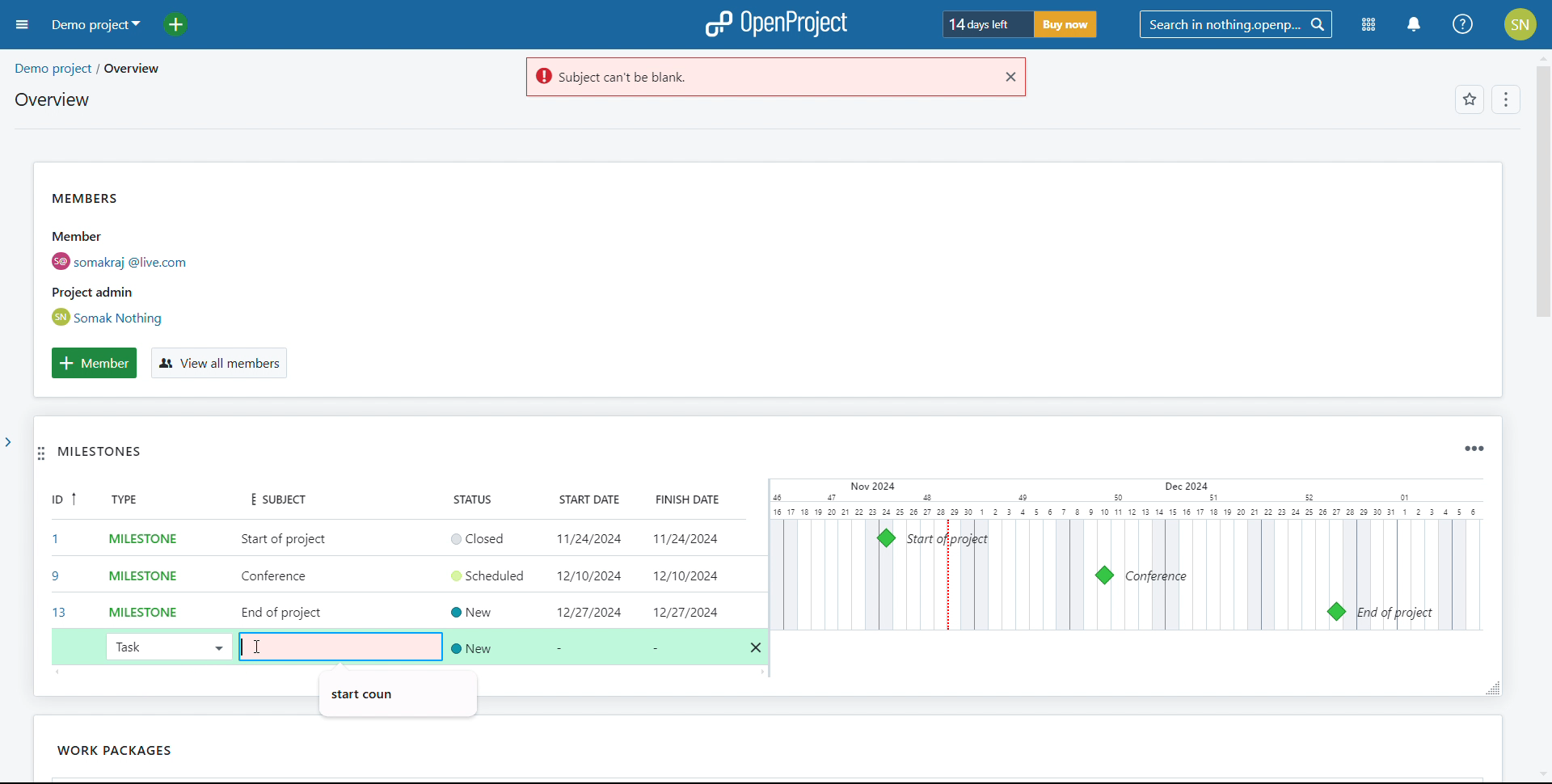  Describe the element at coordinates (1488, 687) in the screenshot. I see `resize widget` at that location.